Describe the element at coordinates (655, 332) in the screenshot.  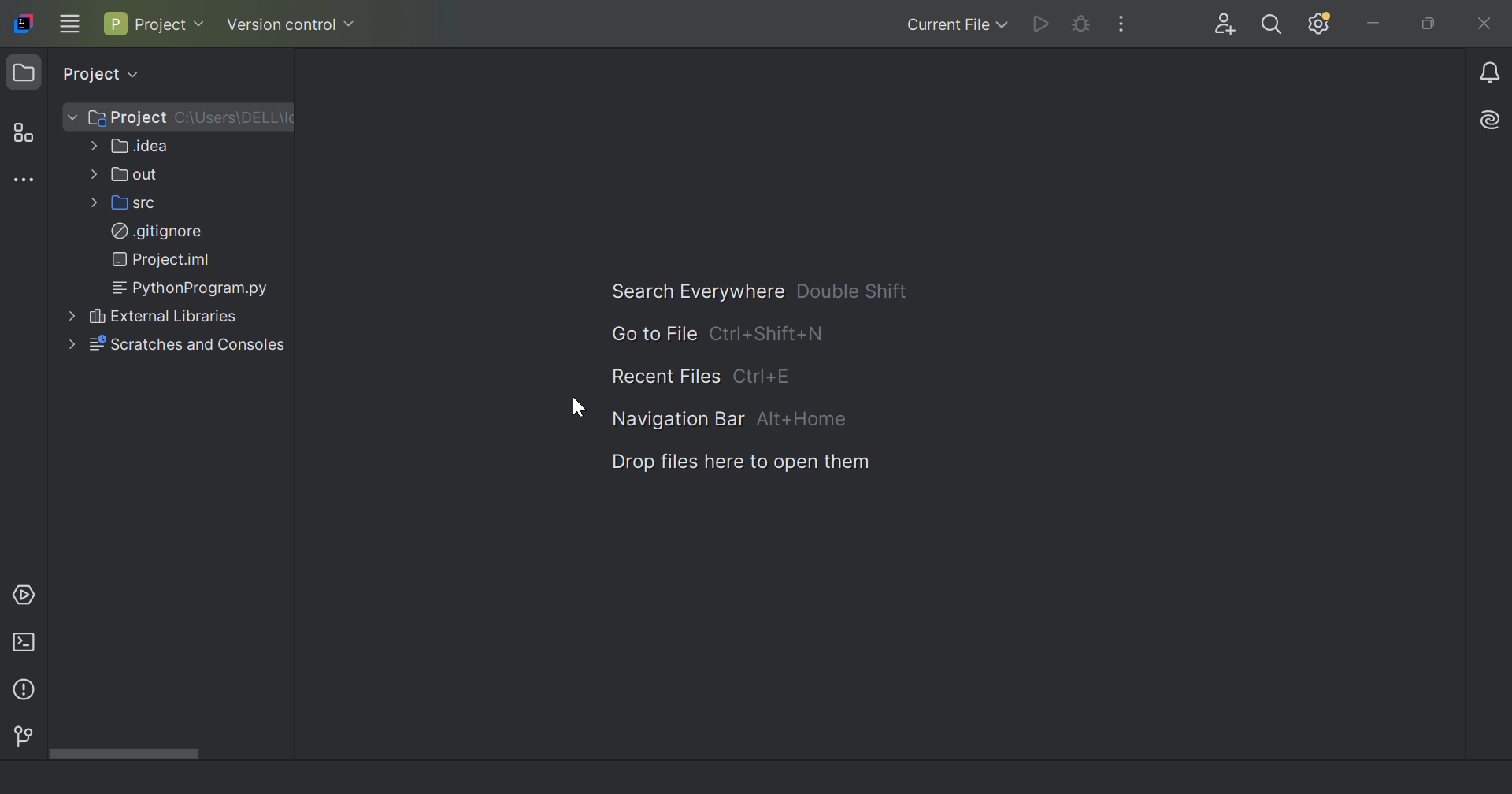
I see `Go to file` at that location.